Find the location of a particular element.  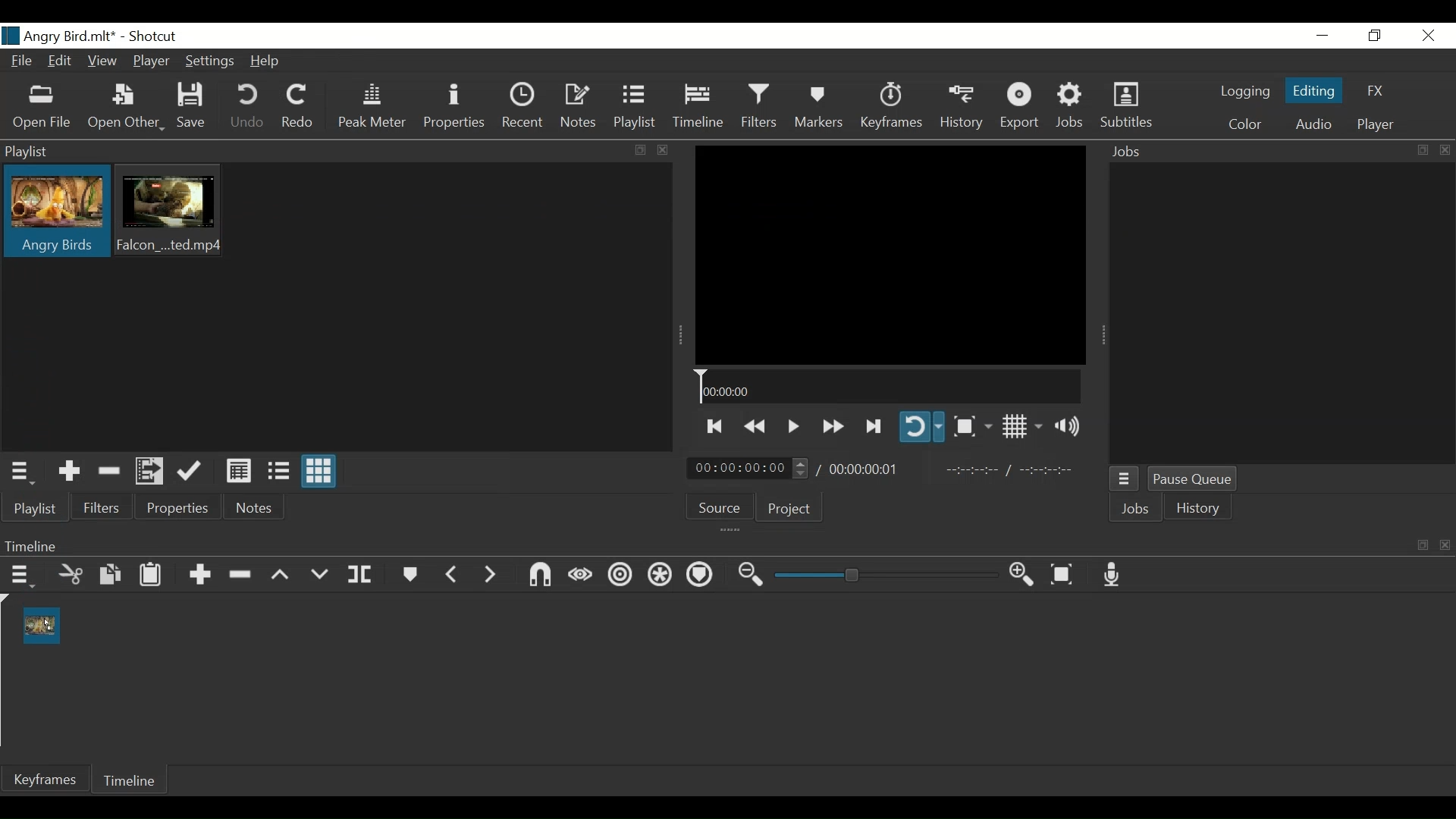

Toggle display grid on player is located at coordinates (1021, 427).